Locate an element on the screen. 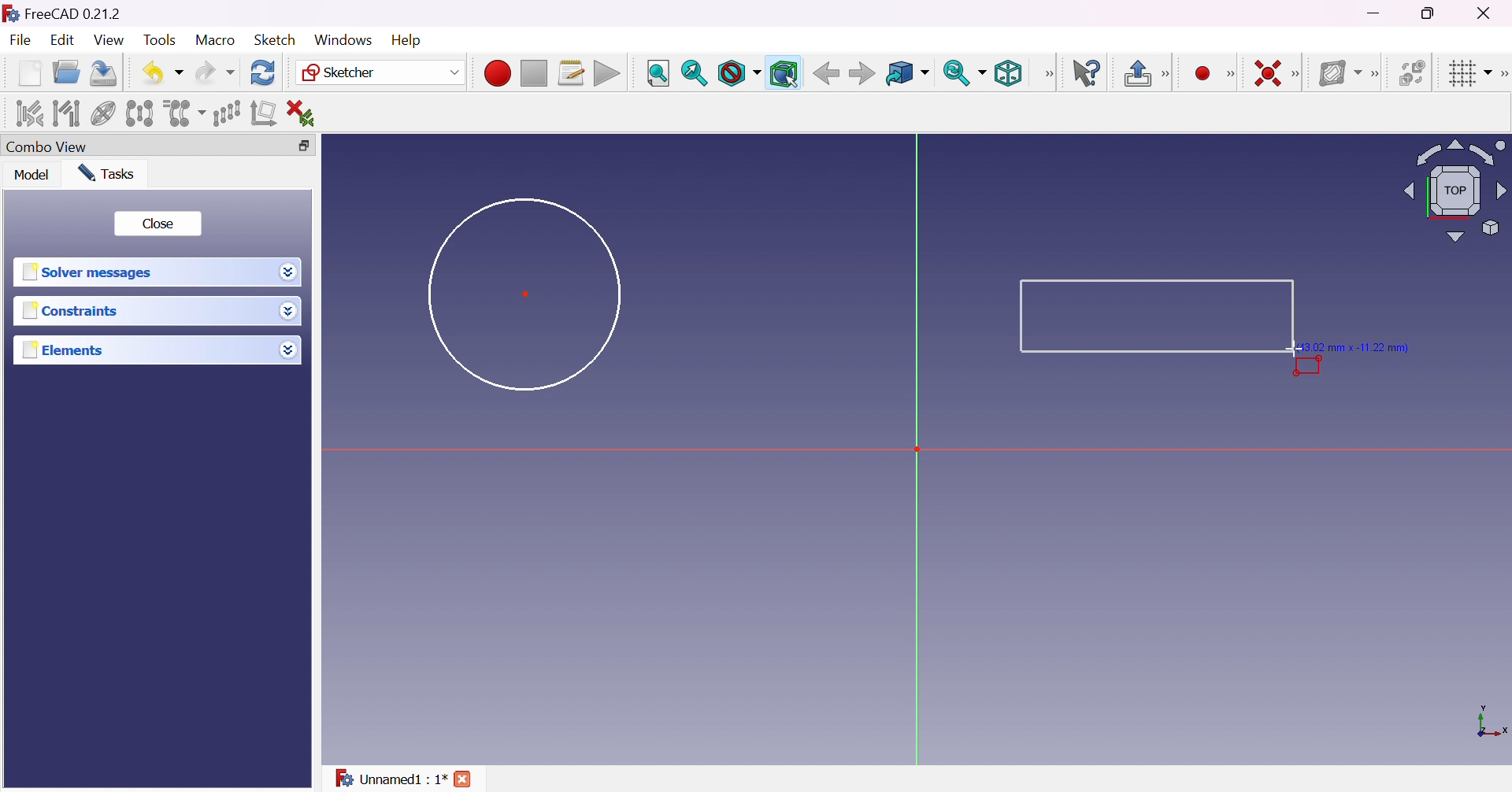 The width and height of the screenshot is (1512, 792). Clone is located at coordinates (183, 112).